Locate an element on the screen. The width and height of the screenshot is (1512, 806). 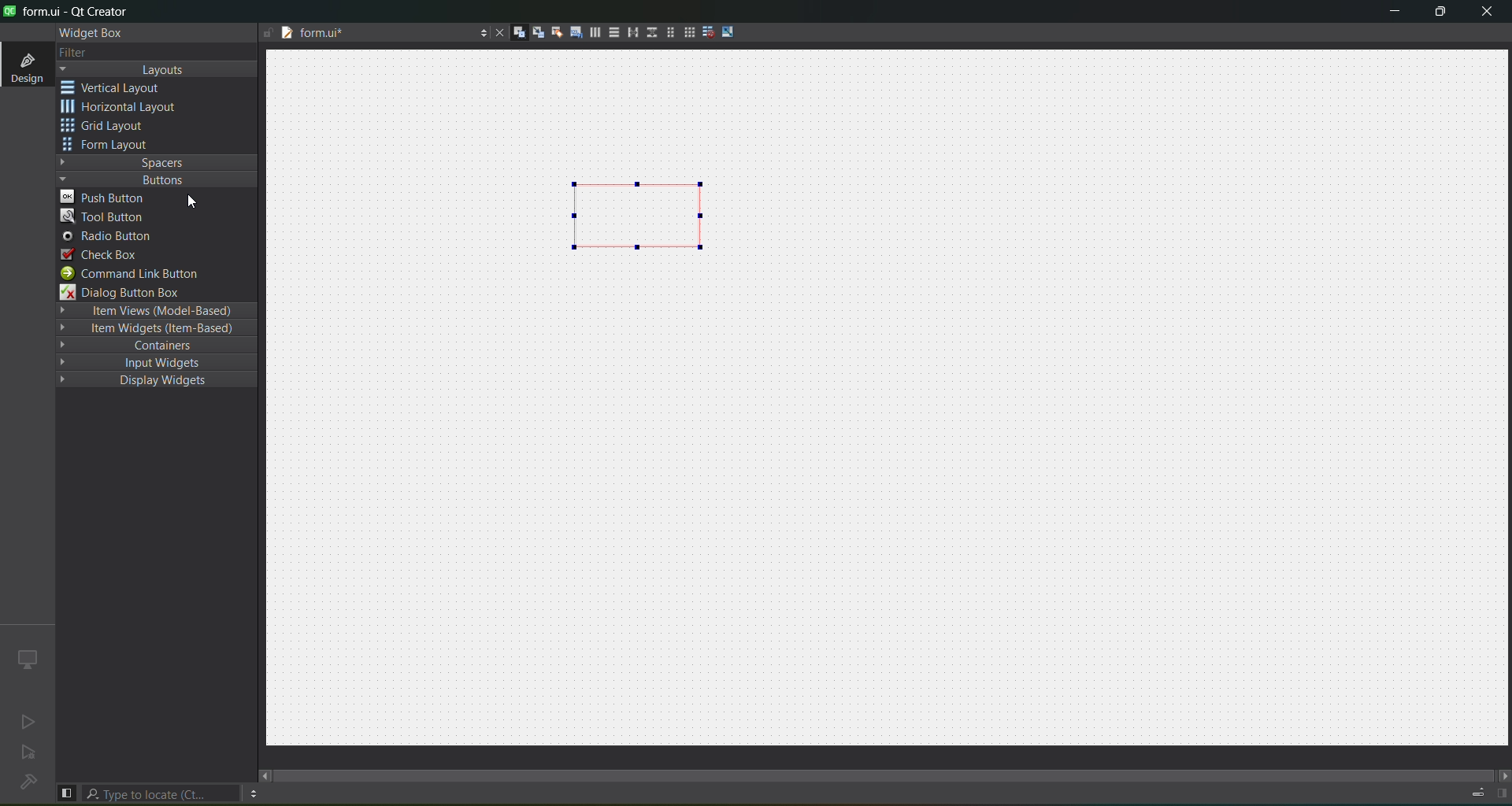
options is located at coordinates (480, 31).